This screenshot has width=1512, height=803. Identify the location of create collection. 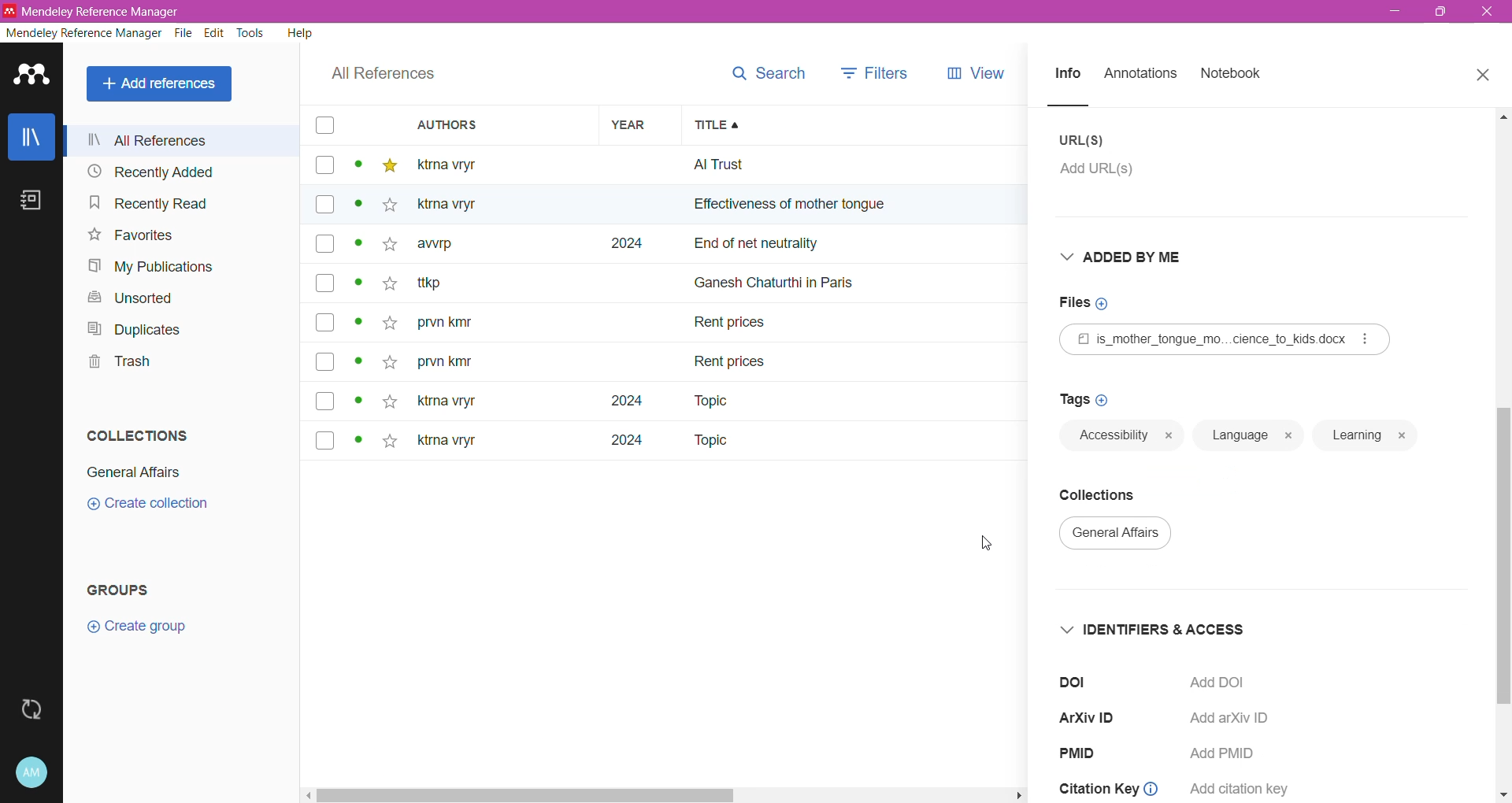
(159, 509).